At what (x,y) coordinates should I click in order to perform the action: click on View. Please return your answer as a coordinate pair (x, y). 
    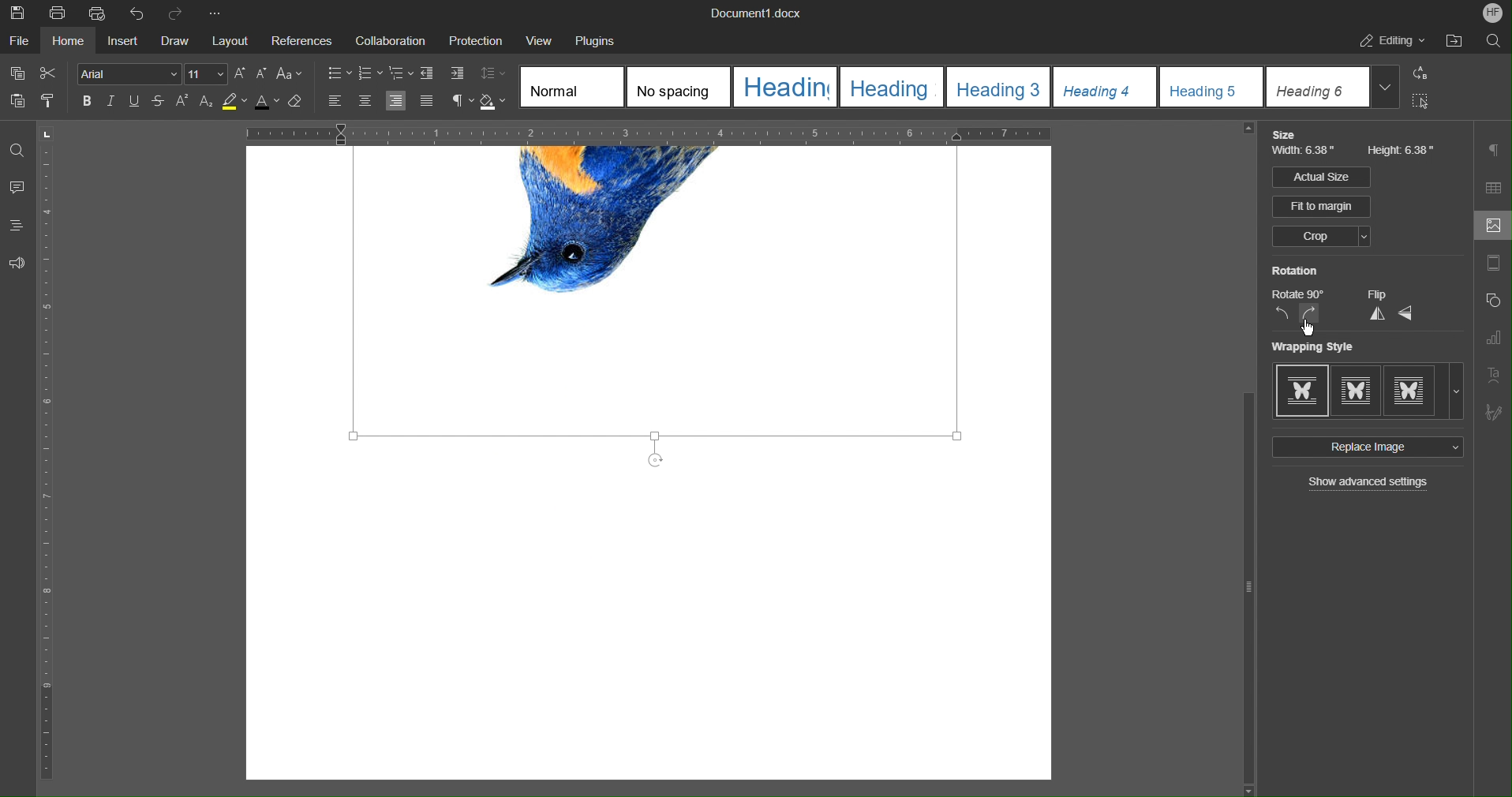
    Looking at the image, I should click on (531, 37).